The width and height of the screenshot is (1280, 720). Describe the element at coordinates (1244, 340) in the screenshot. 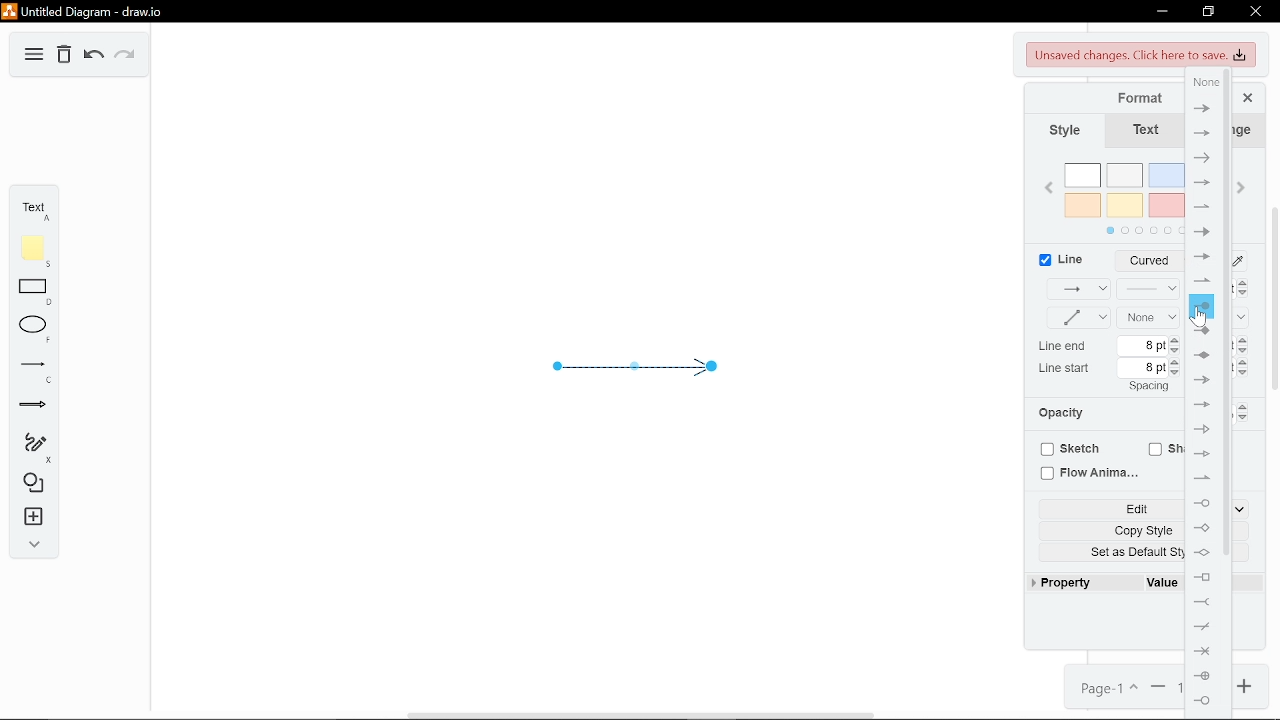

I see `Increase line end Size` at that location.